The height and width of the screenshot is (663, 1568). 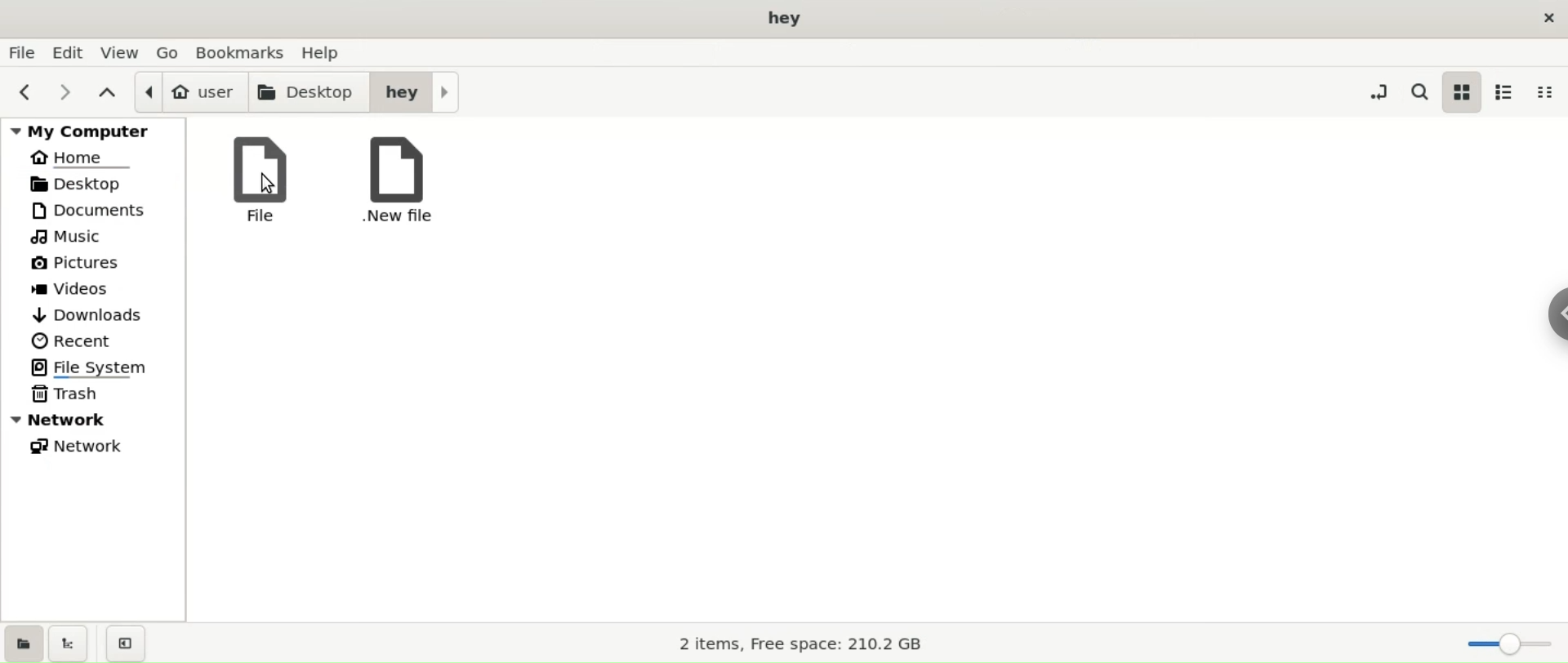 What do you see at coordinates (105, 91) in the screenshot?
I see `parent folders` at bounding box center [105, 91].